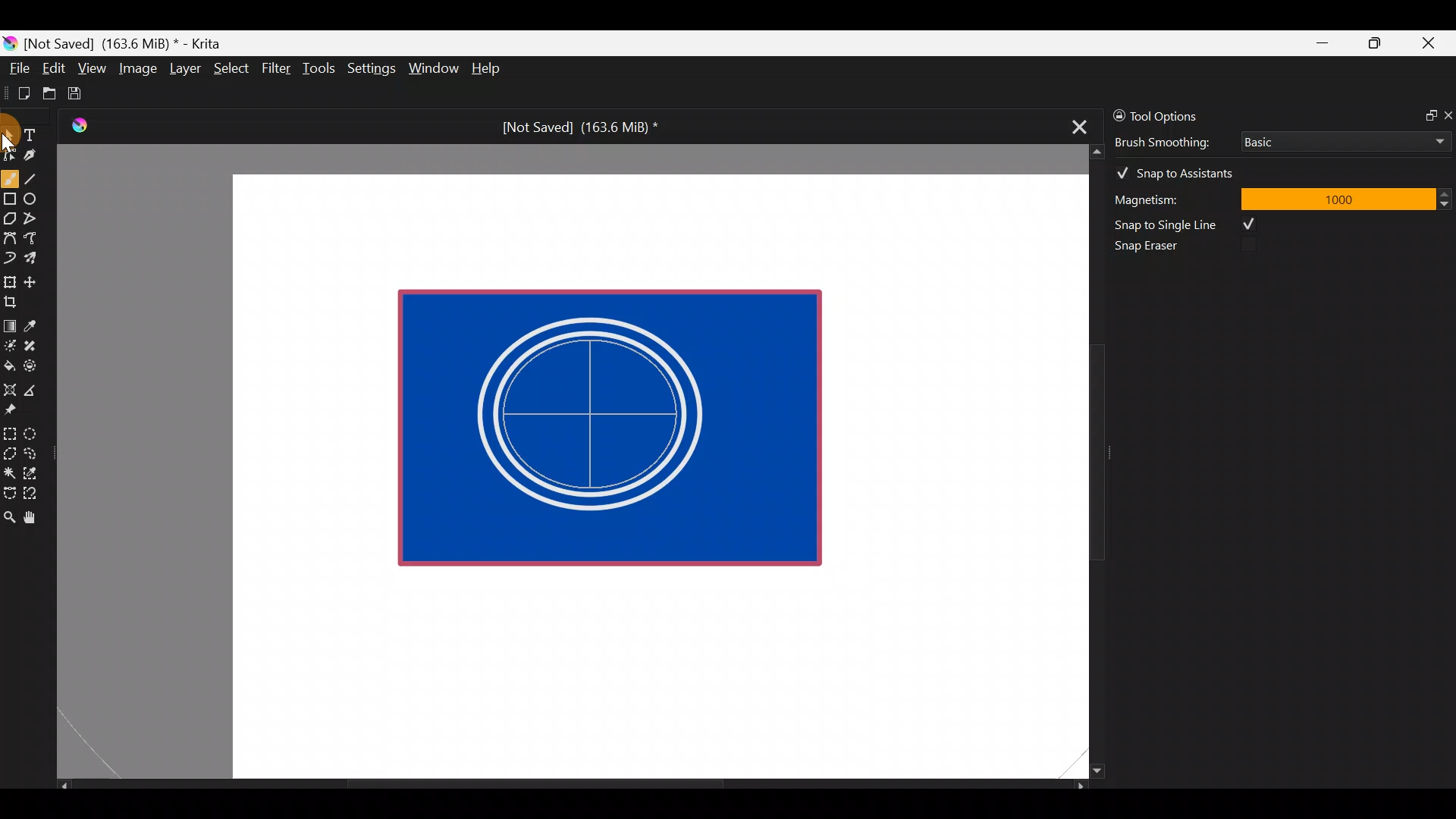  I want to click on Freehand brush tool, so click(10, 173).